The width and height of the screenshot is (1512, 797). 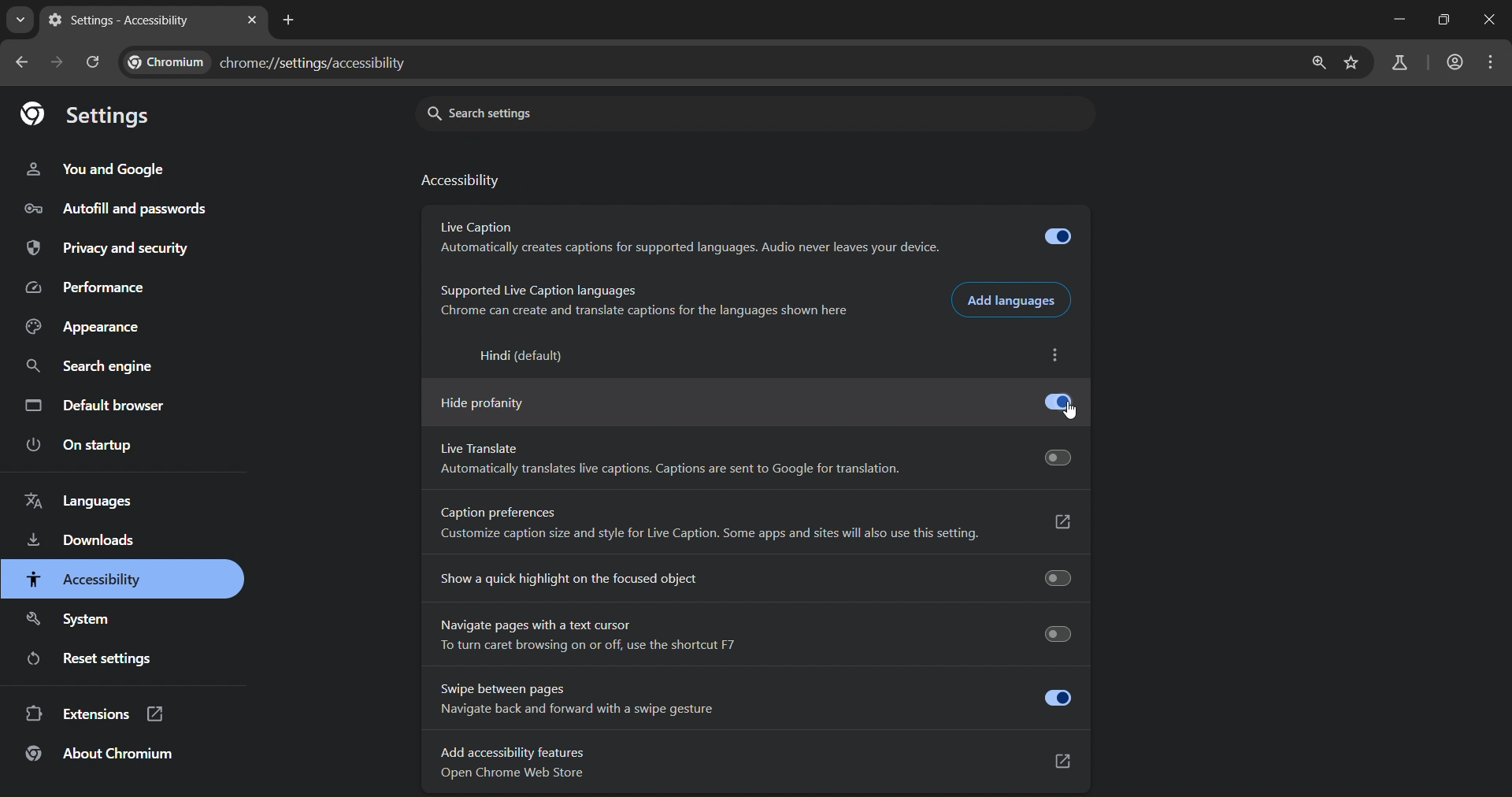 What do you see at coordinates (1447, 20) in the screenshot?
I see `restore down` at bounding box center [1447, 20].